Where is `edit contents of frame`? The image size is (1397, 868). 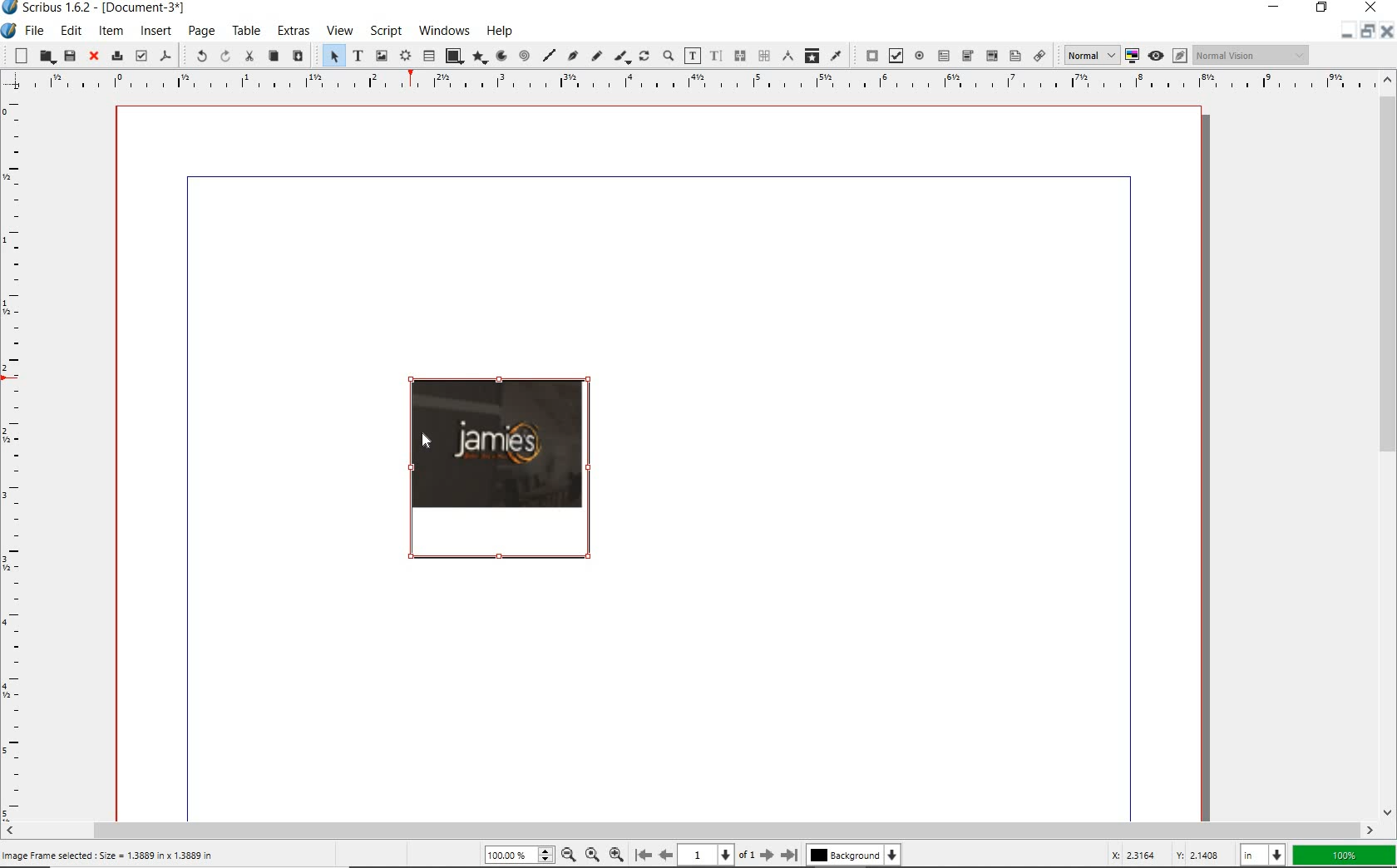 edit contents of frame is located at coordinates (692, 55).